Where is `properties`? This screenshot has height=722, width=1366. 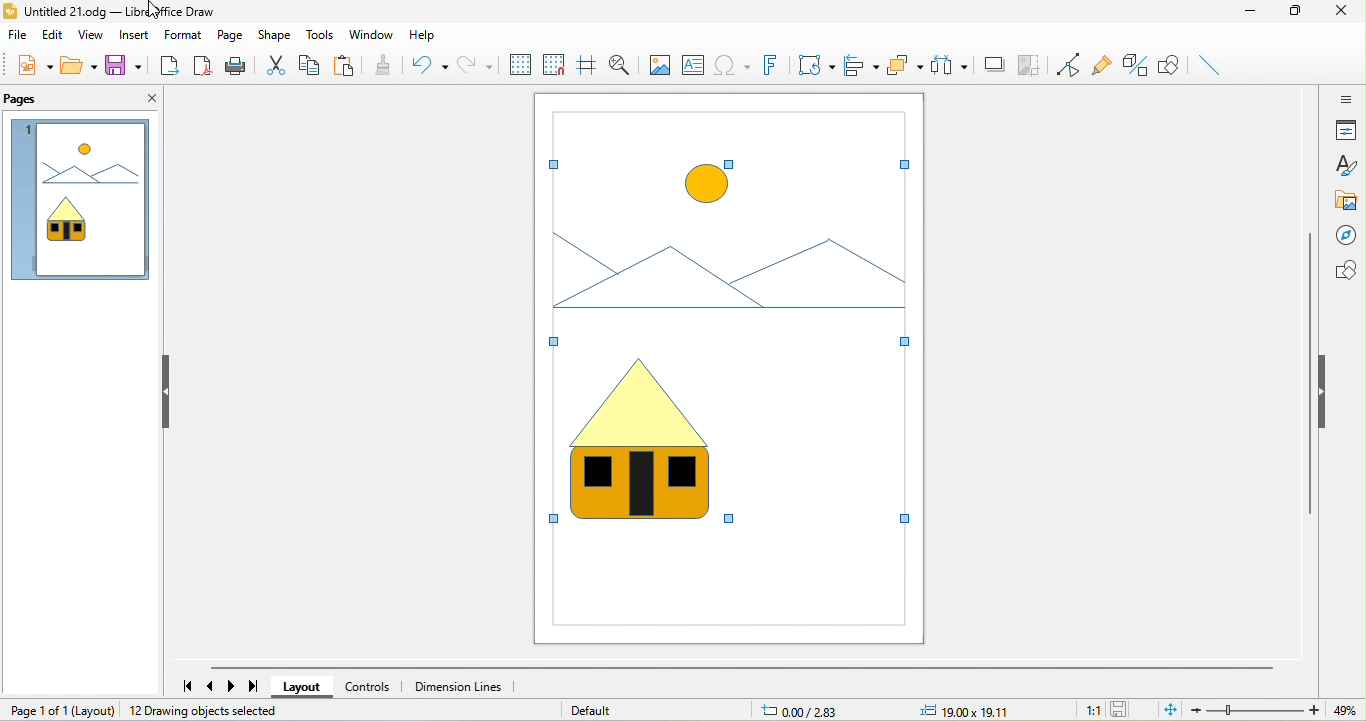
properties is located at coordinates (1345, 130).